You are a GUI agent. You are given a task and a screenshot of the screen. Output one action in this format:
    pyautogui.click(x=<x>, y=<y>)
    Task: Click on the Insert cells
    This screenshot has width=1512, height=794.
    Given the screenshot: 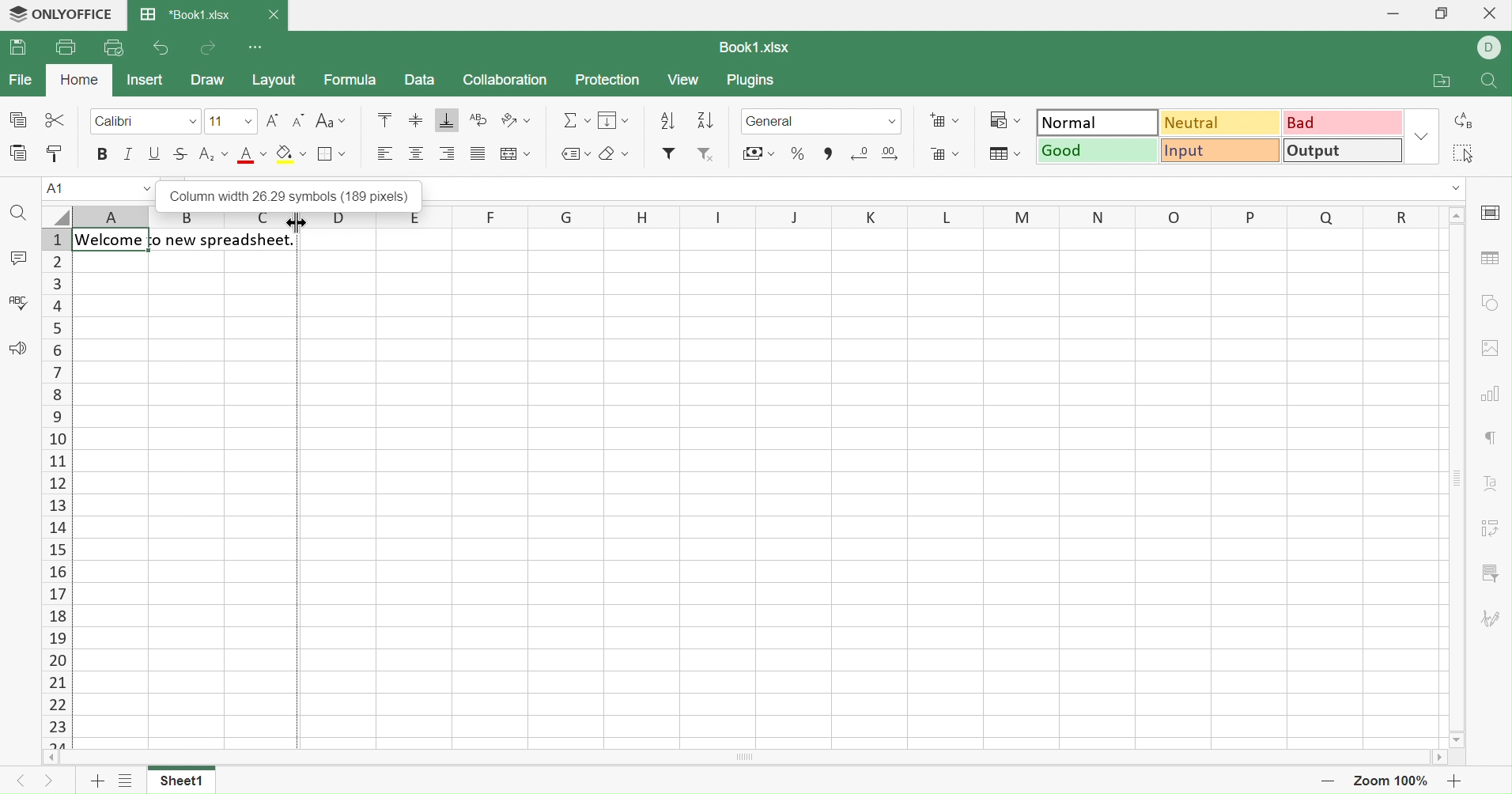 What is the action you would take?
    pyautogui.click(x=943, y=120)
    